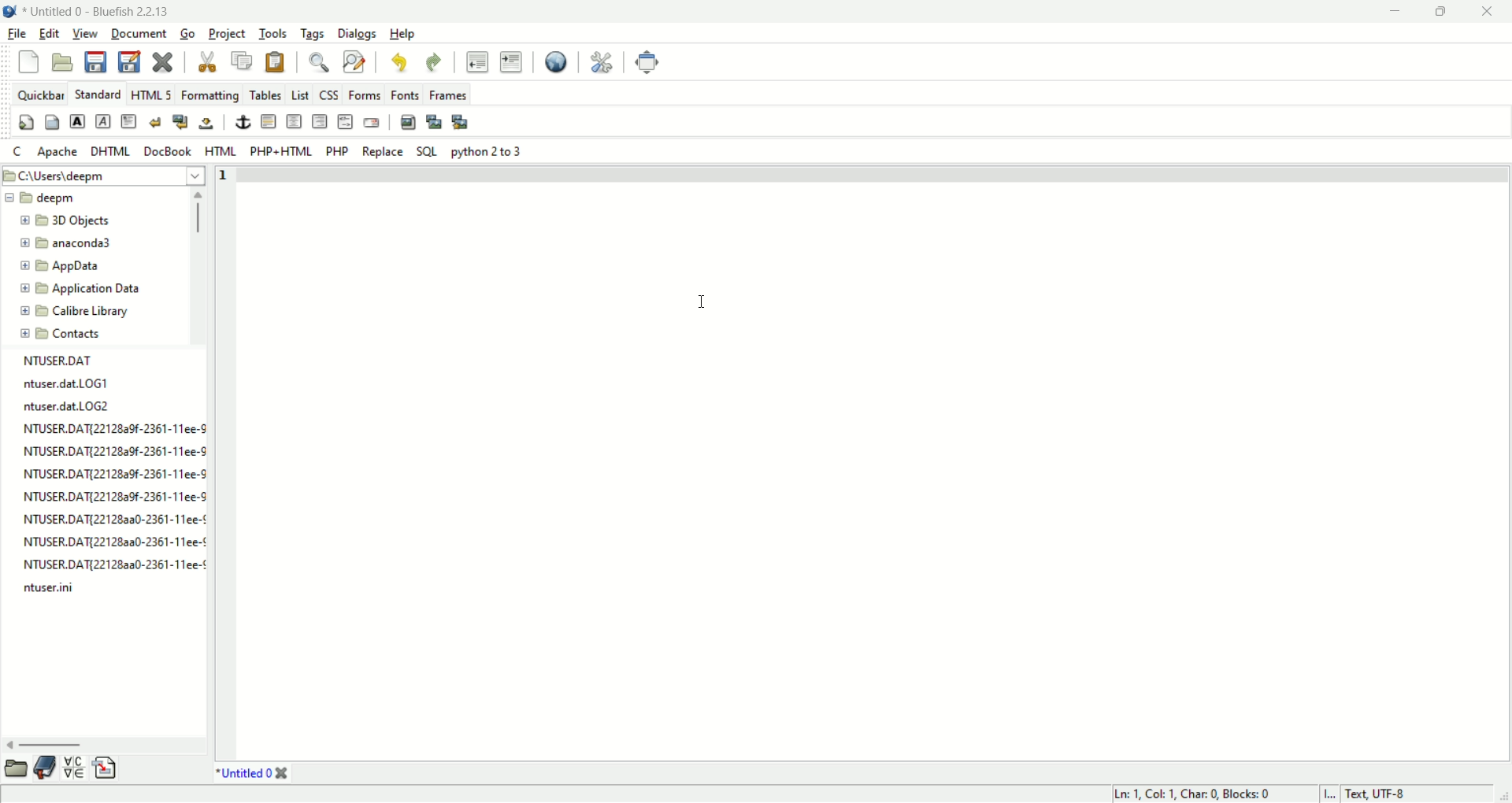  Describe the element at coordinates (17, 151) in the screenshot. I see `C` at that location.